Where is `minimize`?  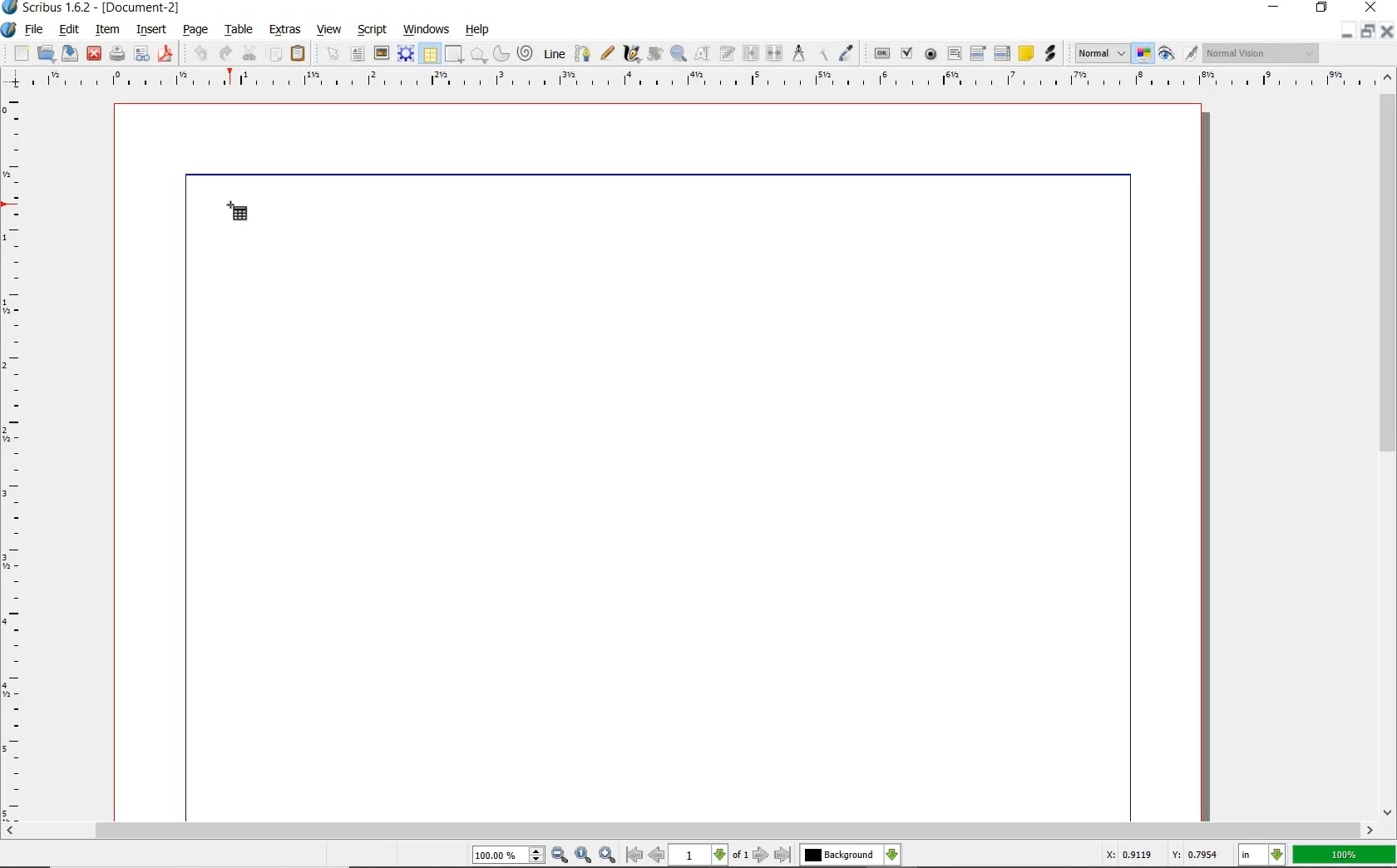
minimize is located at coordinates (1347, 31).